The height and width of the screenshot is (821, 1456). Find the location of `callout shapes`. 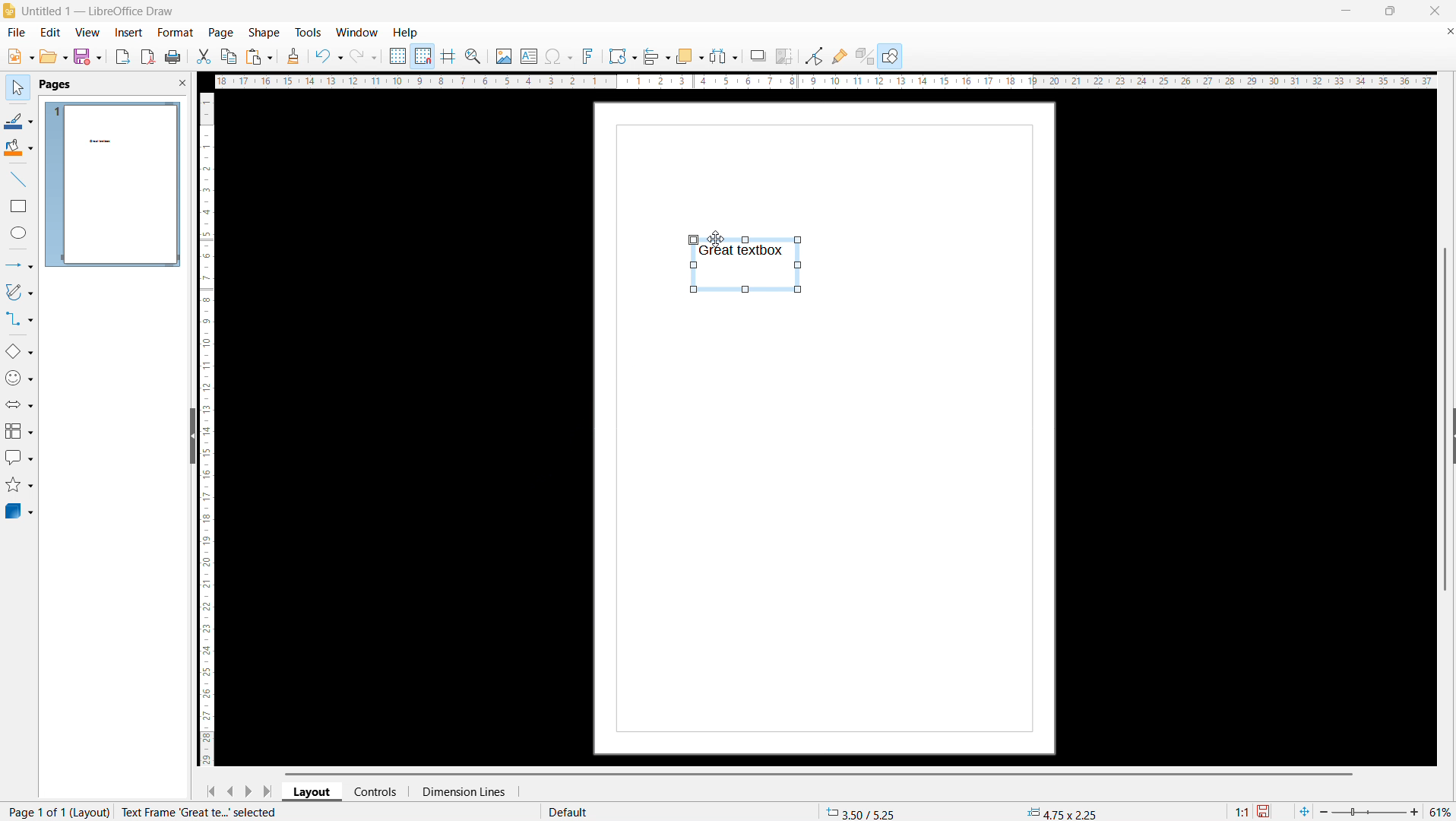

callout shapes is located at coordinates (18, 458).